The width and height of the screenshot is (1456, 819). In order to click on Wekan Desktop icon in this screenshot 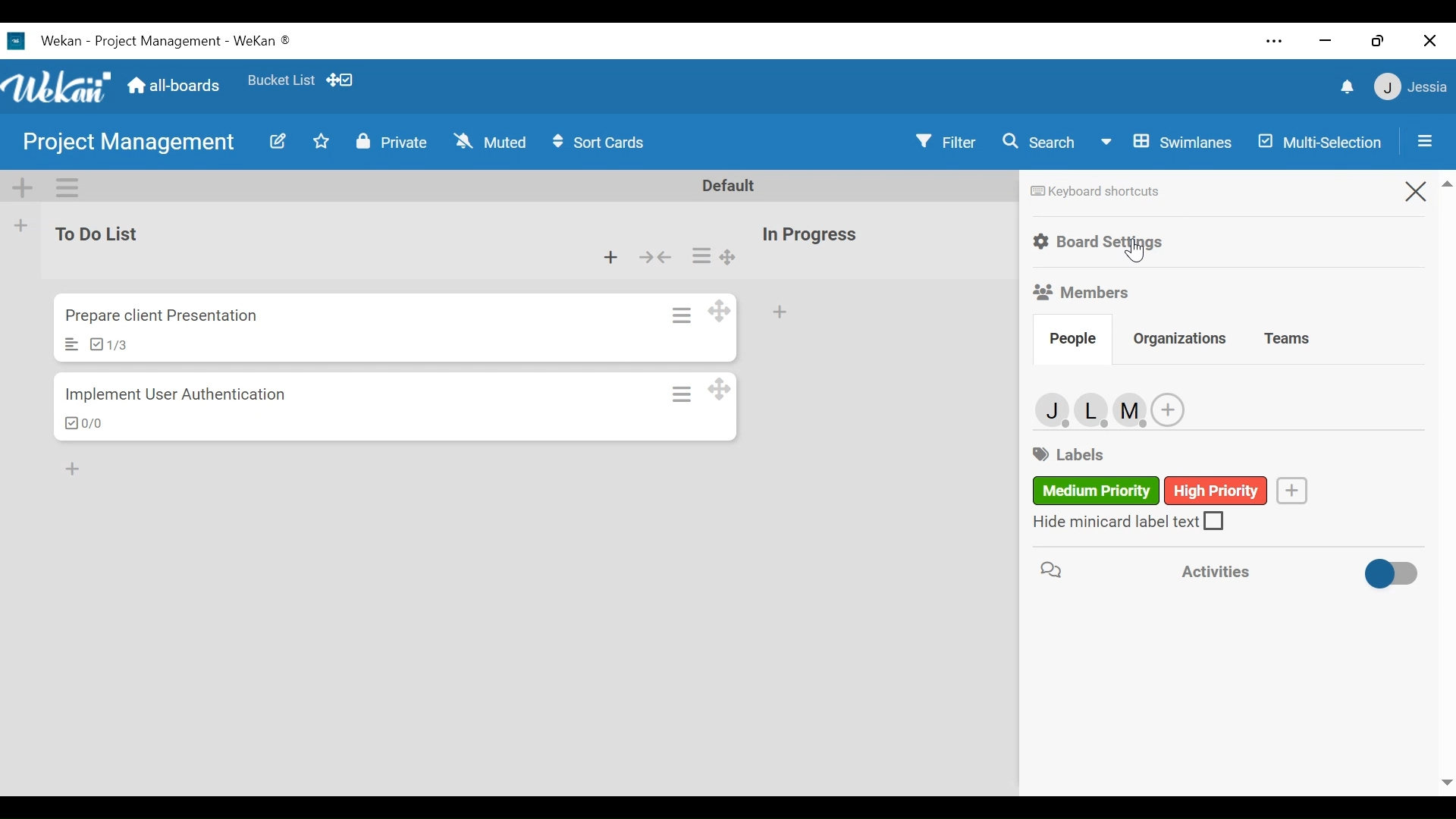, I will do `click(157, 42)`.